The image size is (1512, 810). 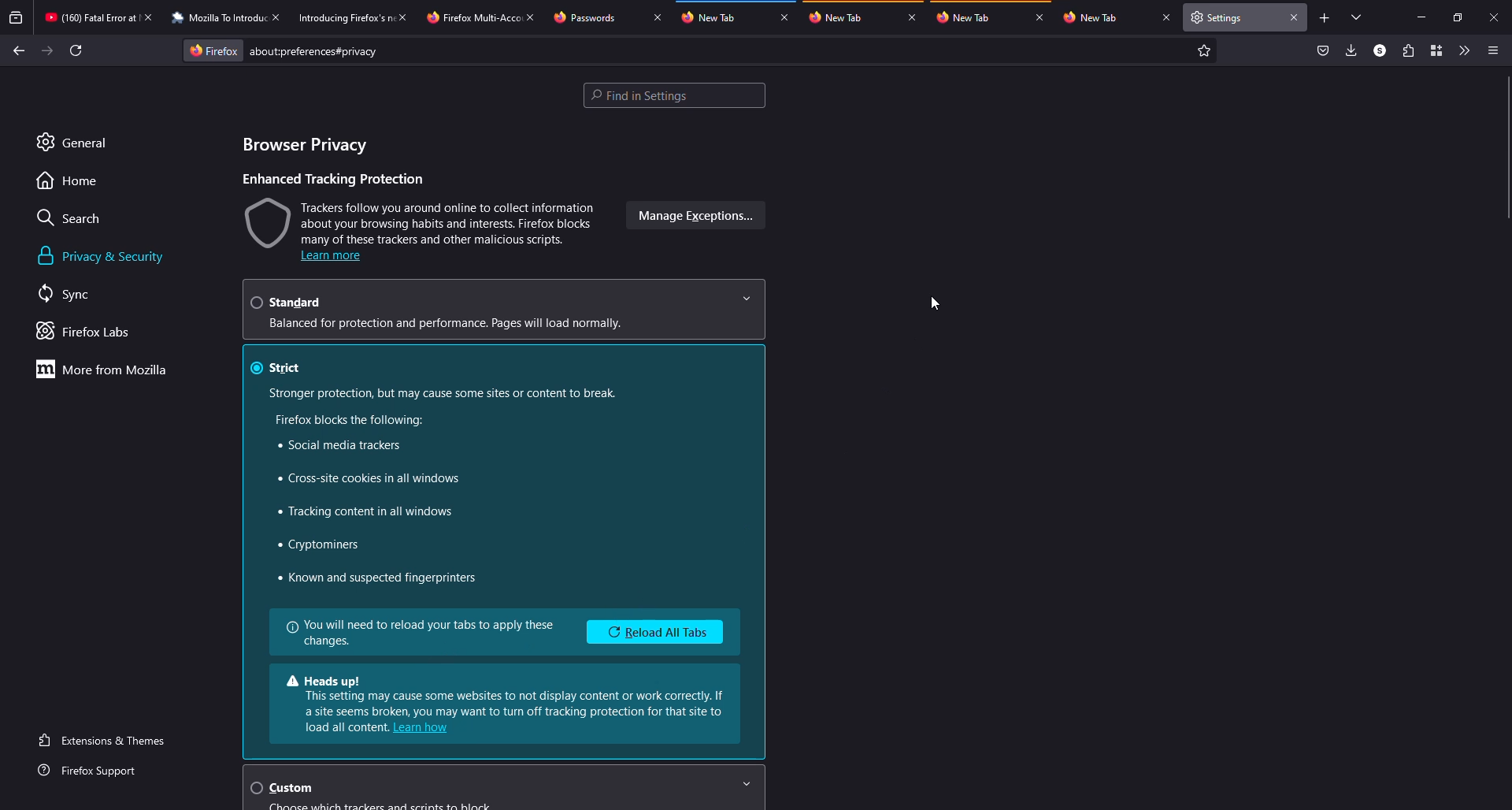 I want to click on view recent, so click(x=17, y=17).